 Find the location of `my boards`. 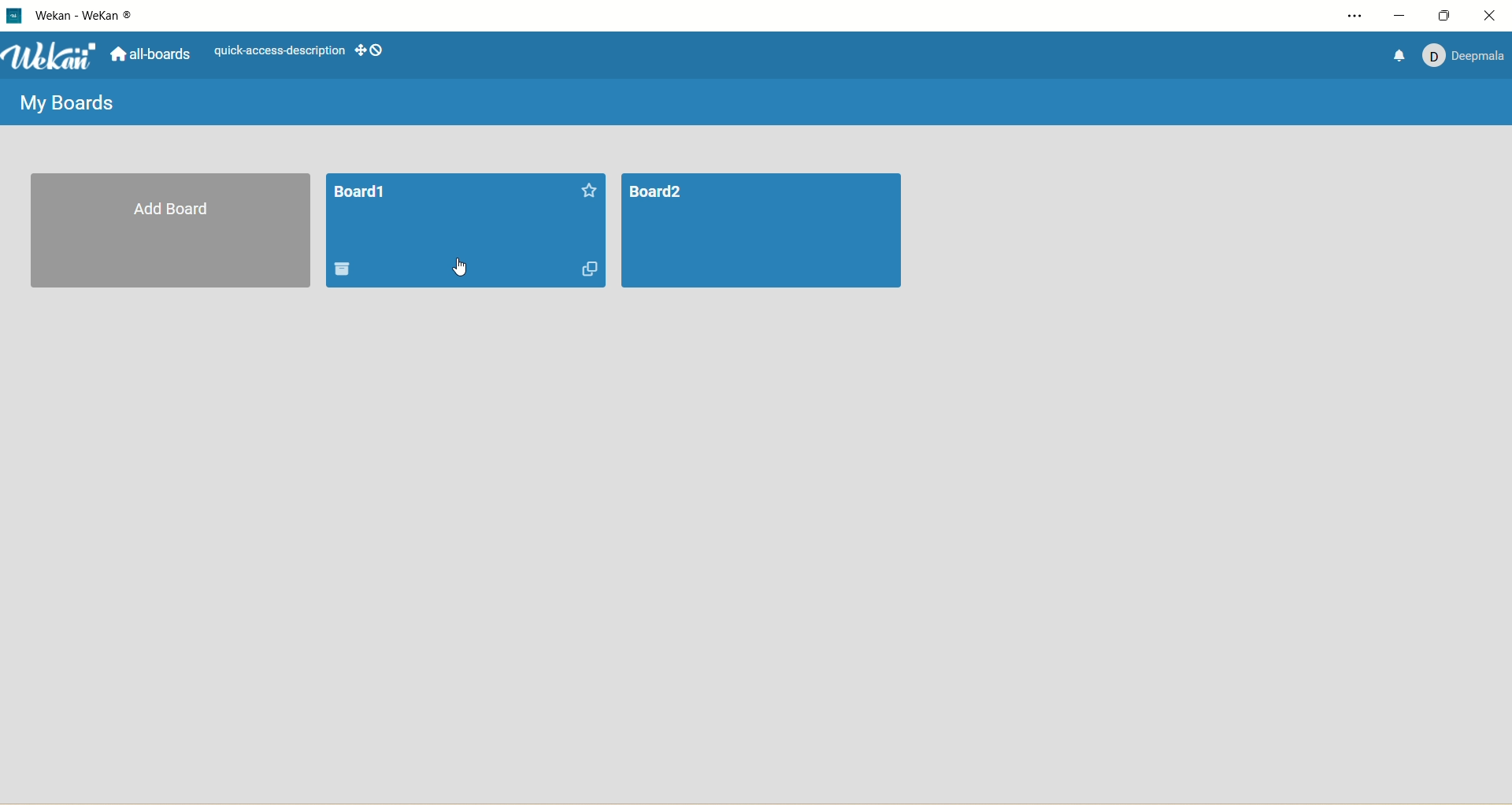

my boards is located at coordinates (67, 99).